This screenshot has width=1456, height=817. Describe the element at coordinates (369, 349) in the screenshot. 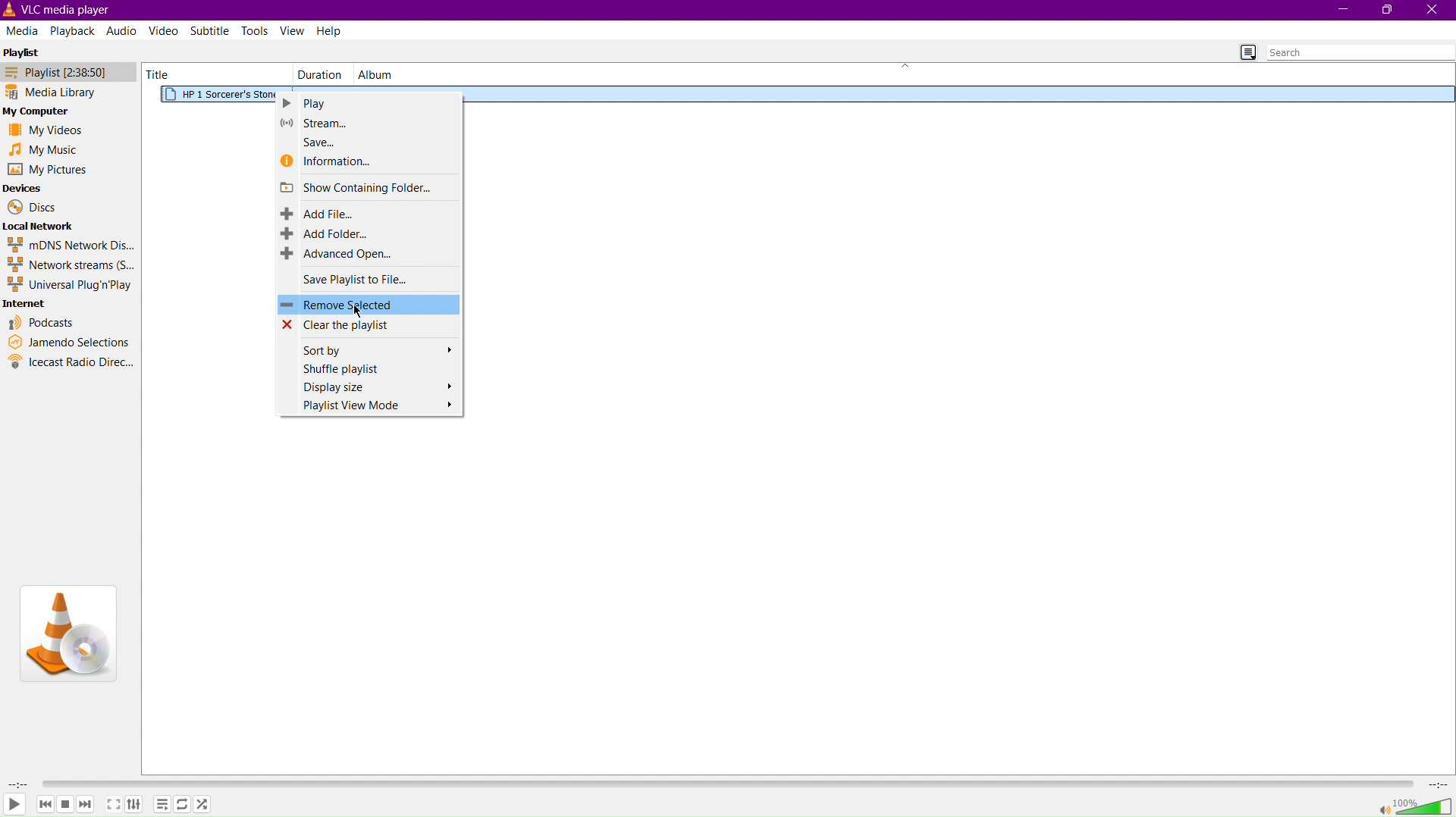

I see `Sort by` at that location.